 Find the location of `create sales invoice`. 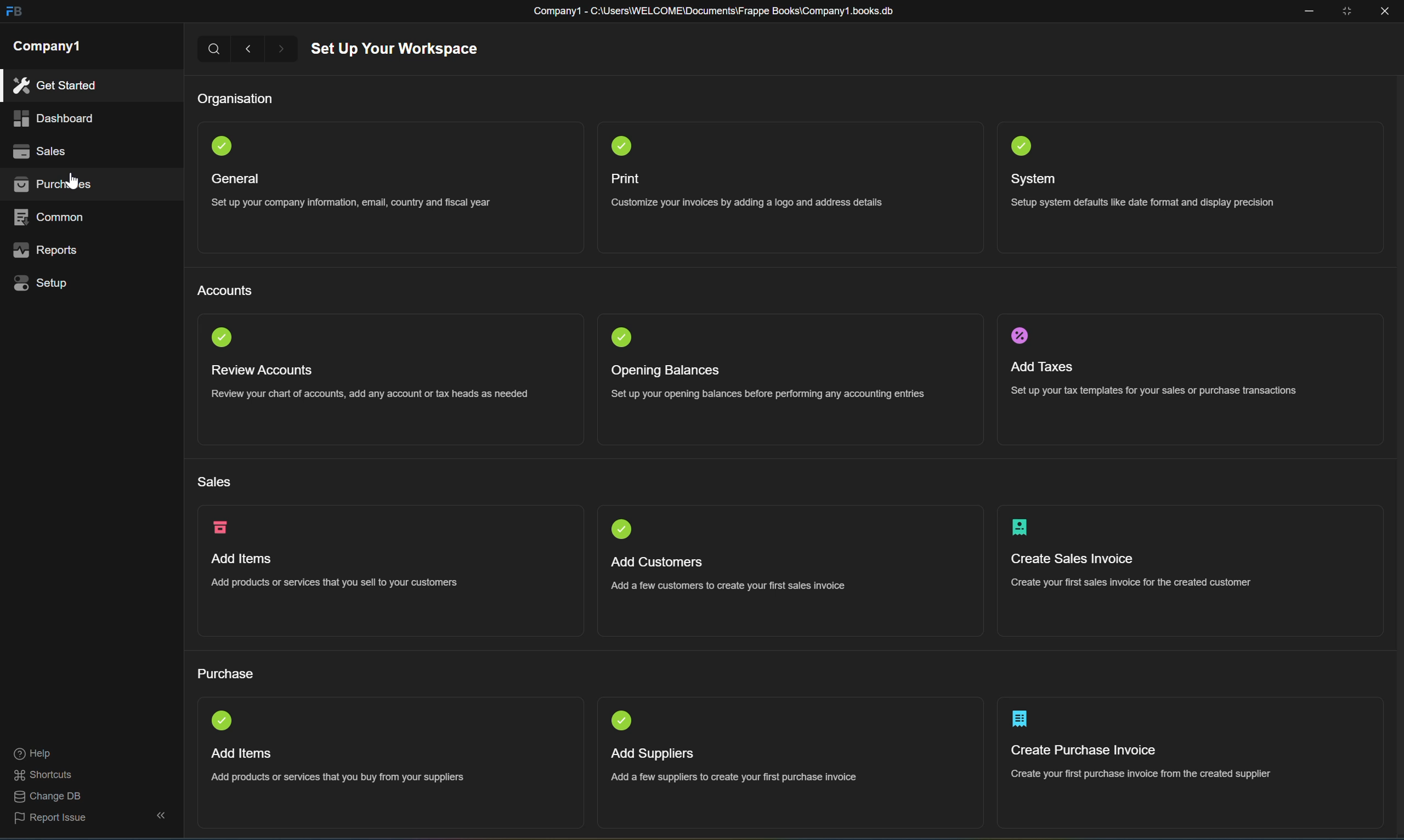

create sales invoice is located at coordinates (1074, 559).